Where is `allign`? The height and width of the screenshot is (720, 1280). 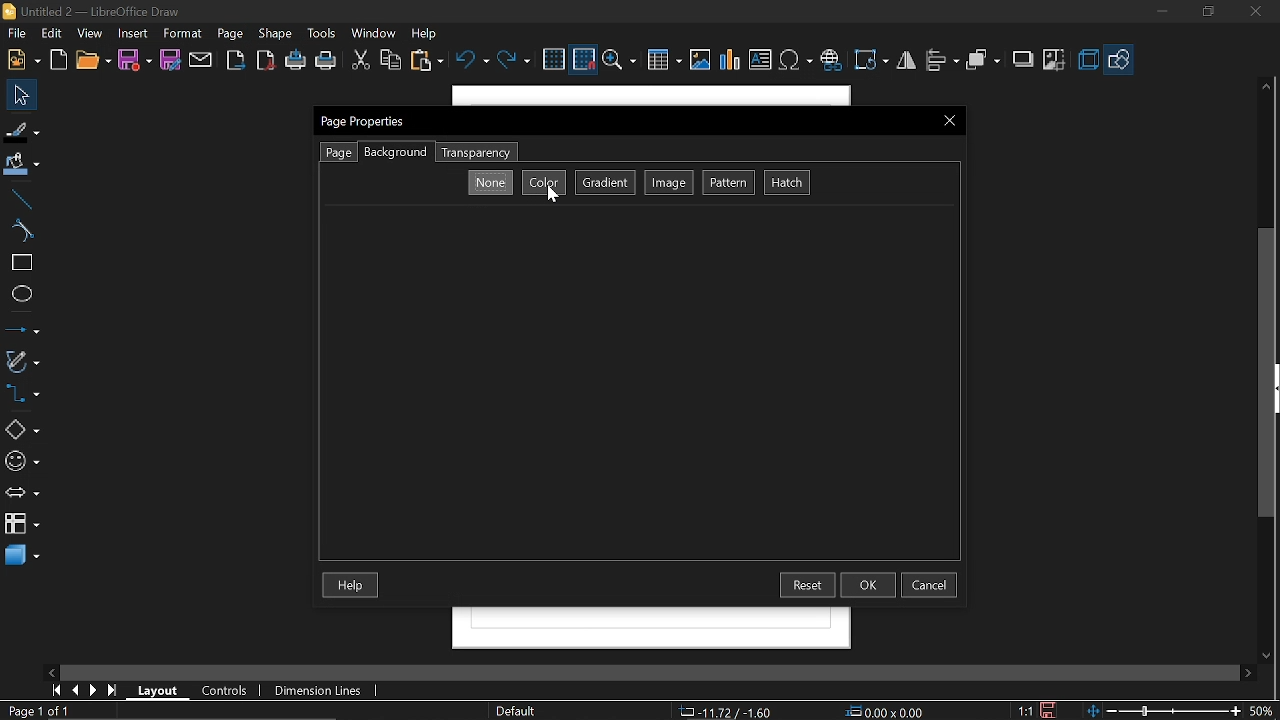 allign is located at coordinates (942, 62).